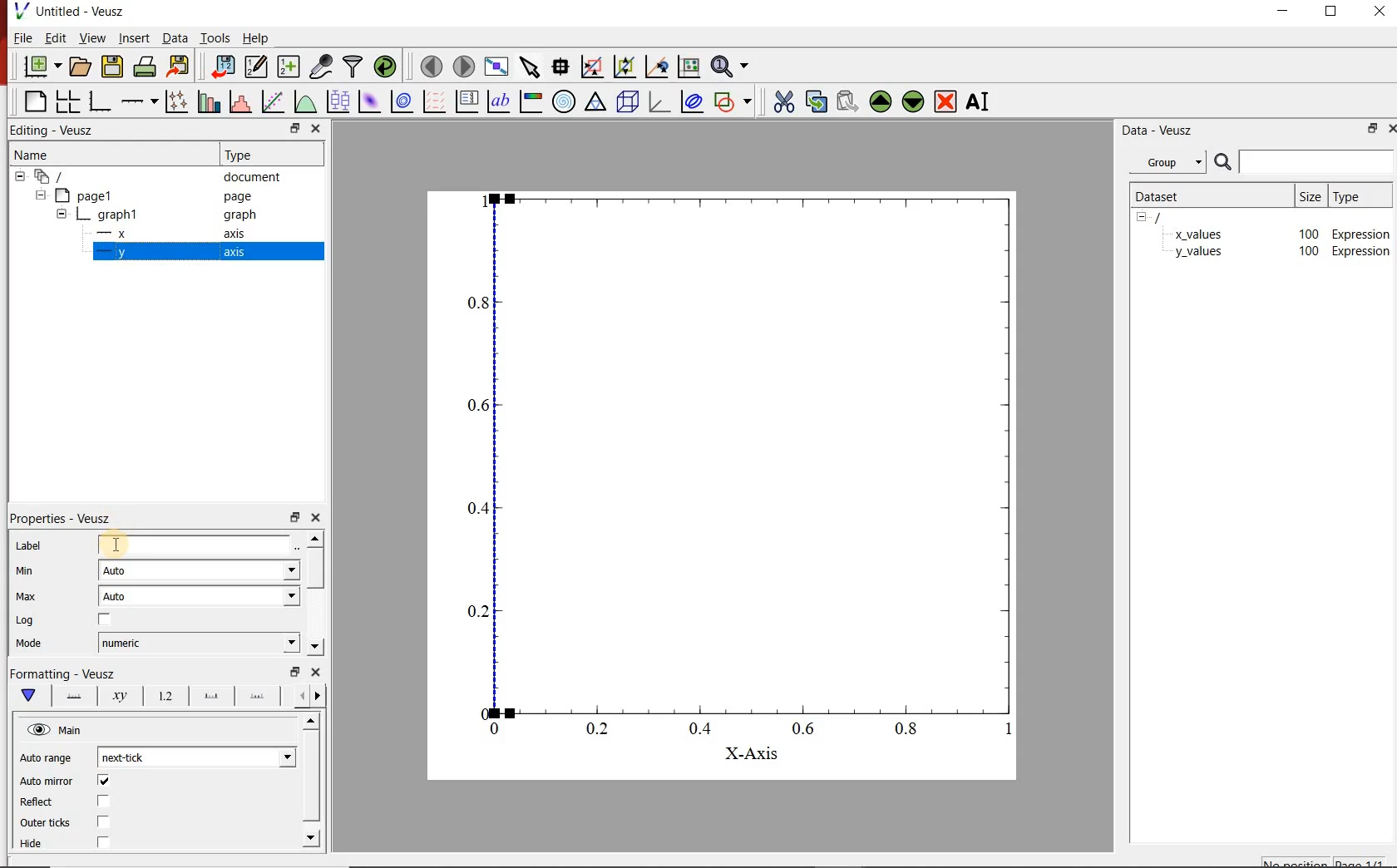 Image resolution: width=1397 pixels, height=868 pixels. Describe the element at coordinates (295, 515) in the screenshot. I see `restore down` at that location.